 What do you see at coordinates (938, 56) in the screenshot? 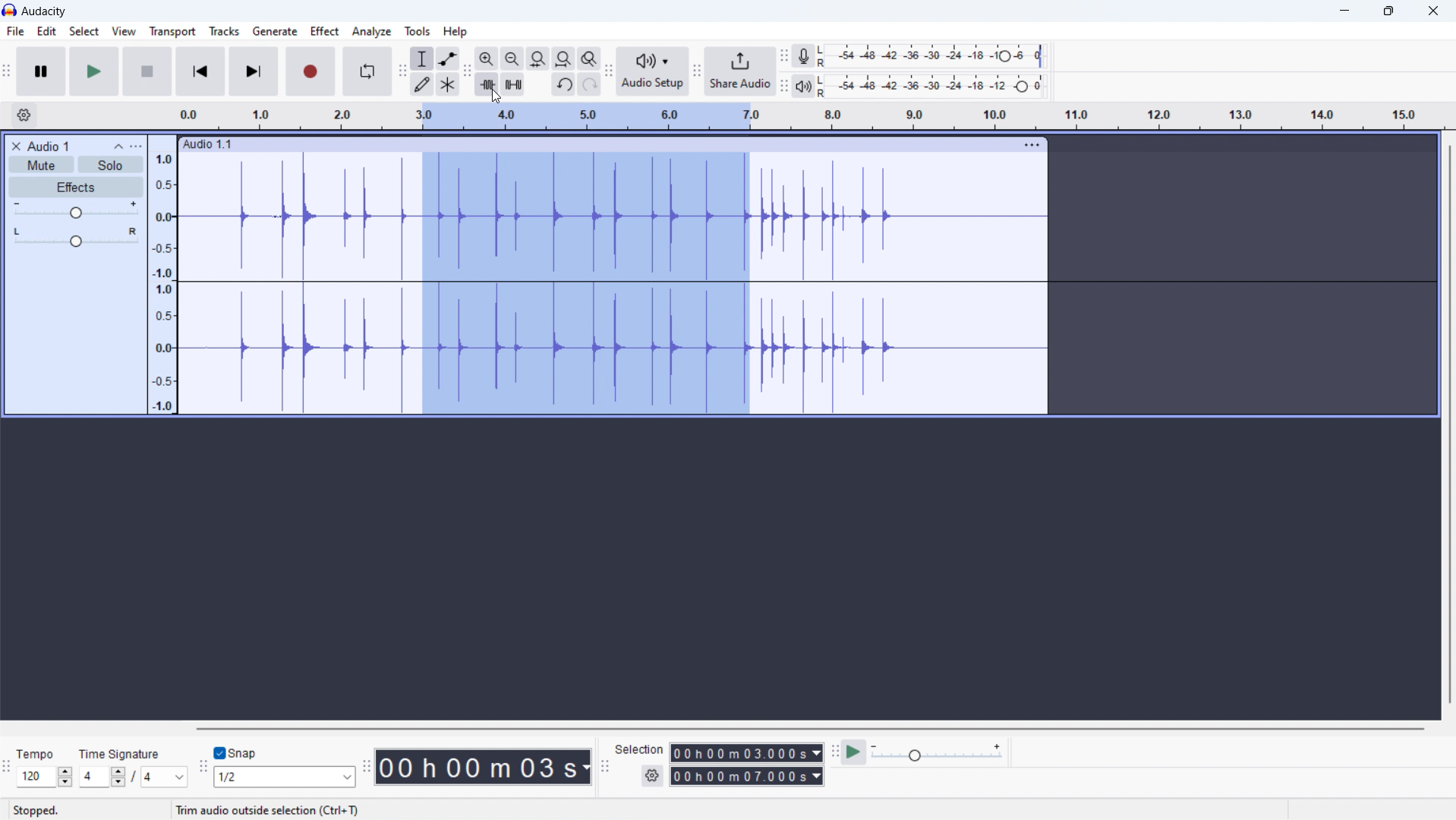
I see `record level` at bounding box center [938, 56].